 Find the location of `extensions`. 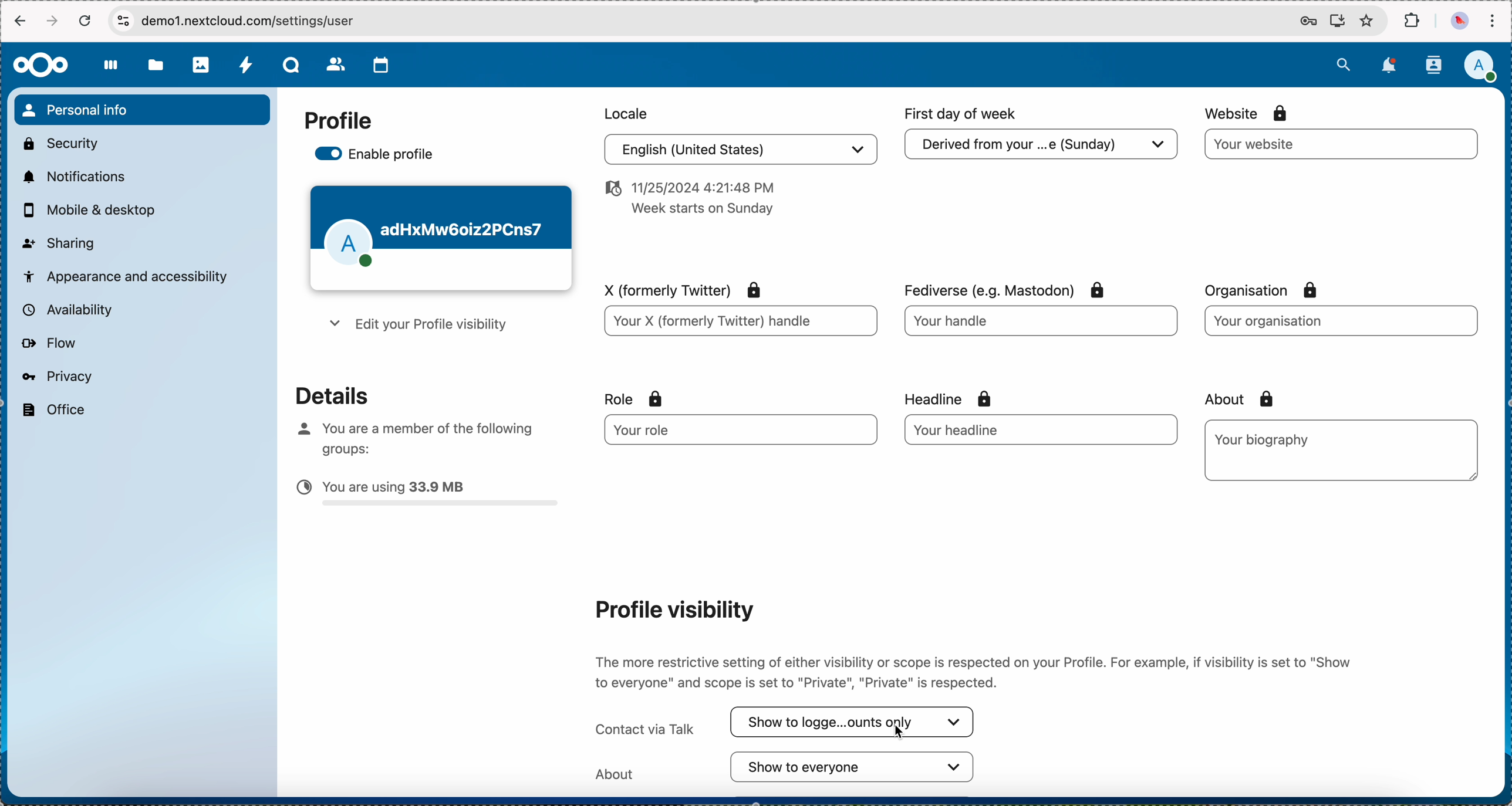

extensions is located at coordinates (1413, 21).